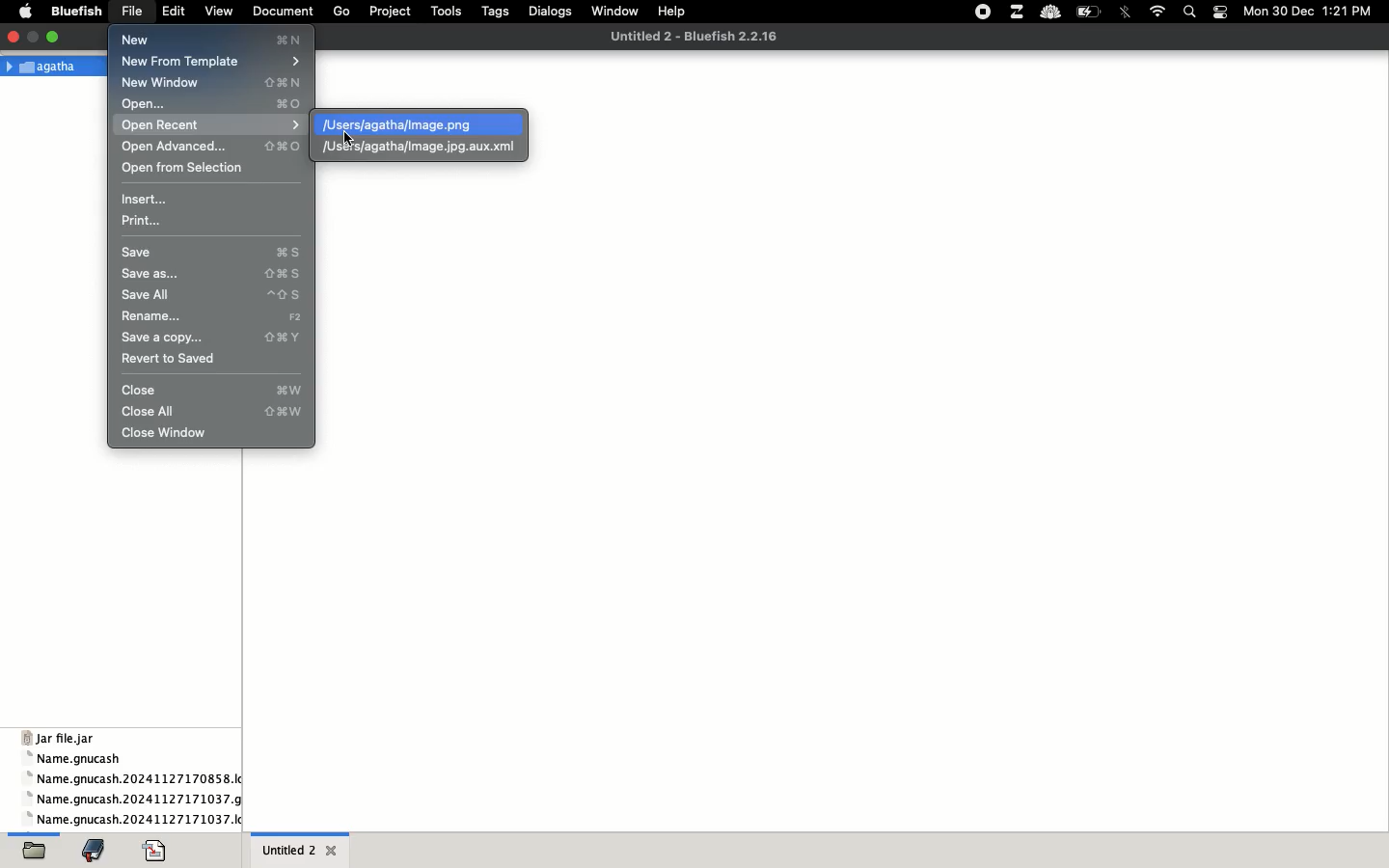 The height and width of the screenshot is (868, 1389). Describe the element at coordinates (167, 433) in the screenshot. I see `close window` at that location.